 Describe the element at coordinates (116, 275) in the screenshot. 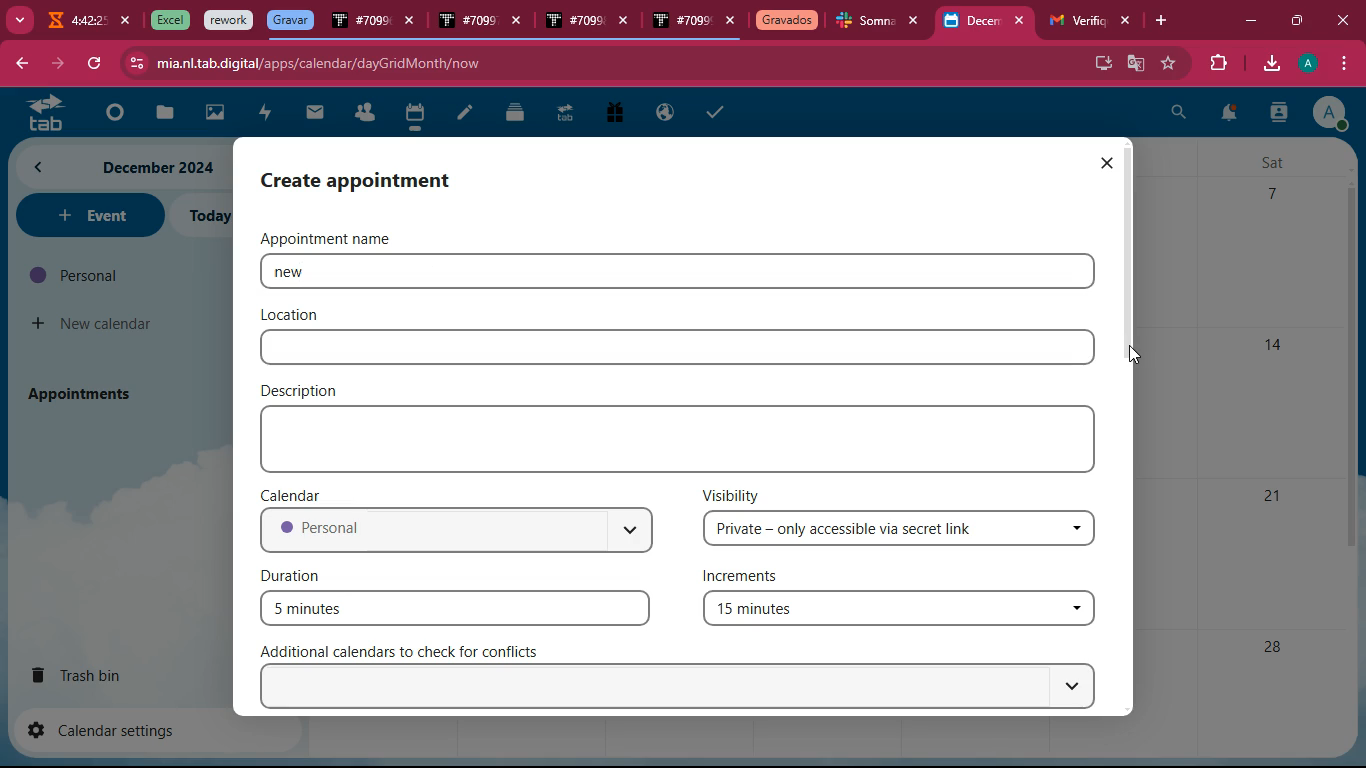

I see `personal` at that location.